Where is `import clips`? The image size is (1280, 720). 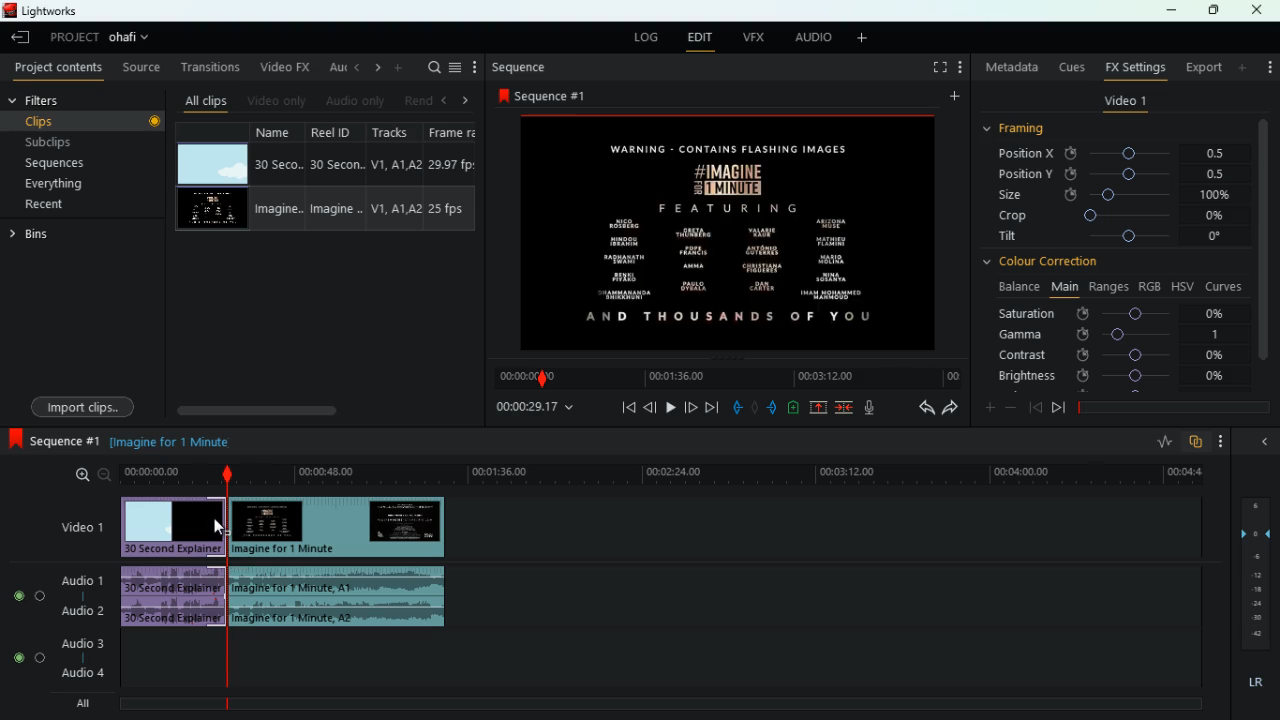
import clips is located at coordinates (86, 405).